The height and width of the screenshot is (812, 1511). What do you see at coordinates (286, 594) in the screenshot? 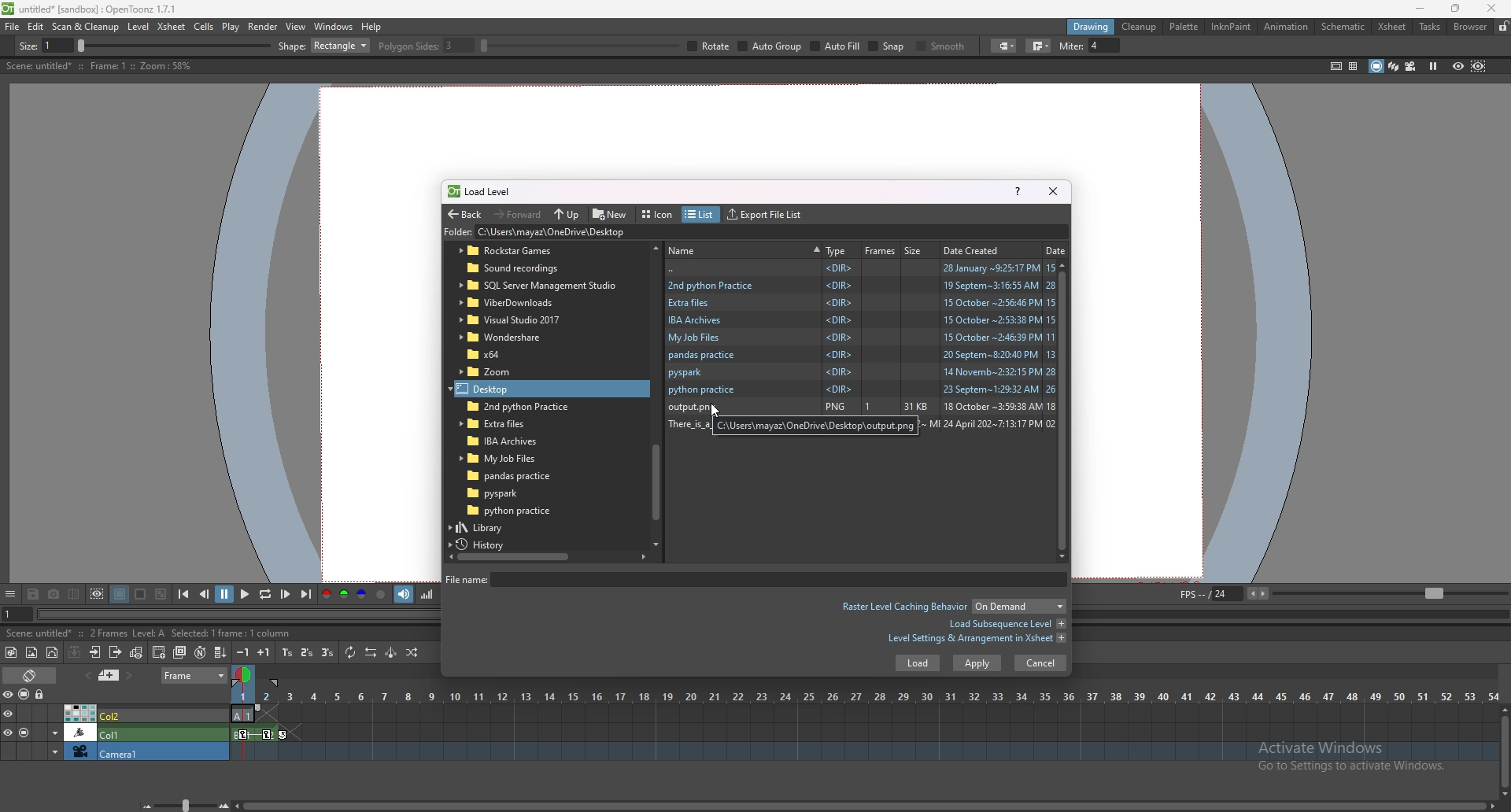
I see `next frame` at bounding box center [286, 594].